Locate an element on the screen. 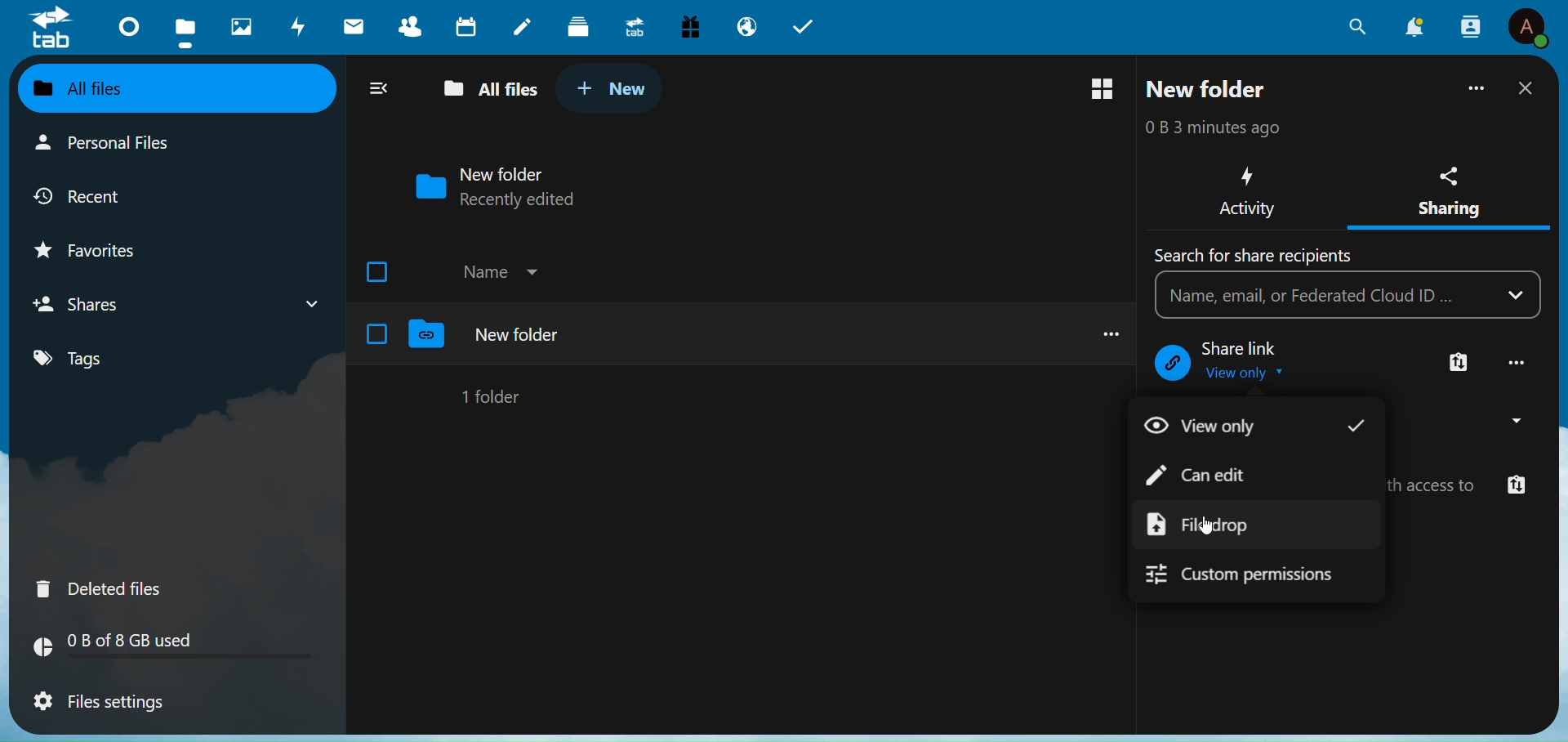 The width and height of the screenshot is (1568, 742). Contacts is located at coordinates (1471, 25).